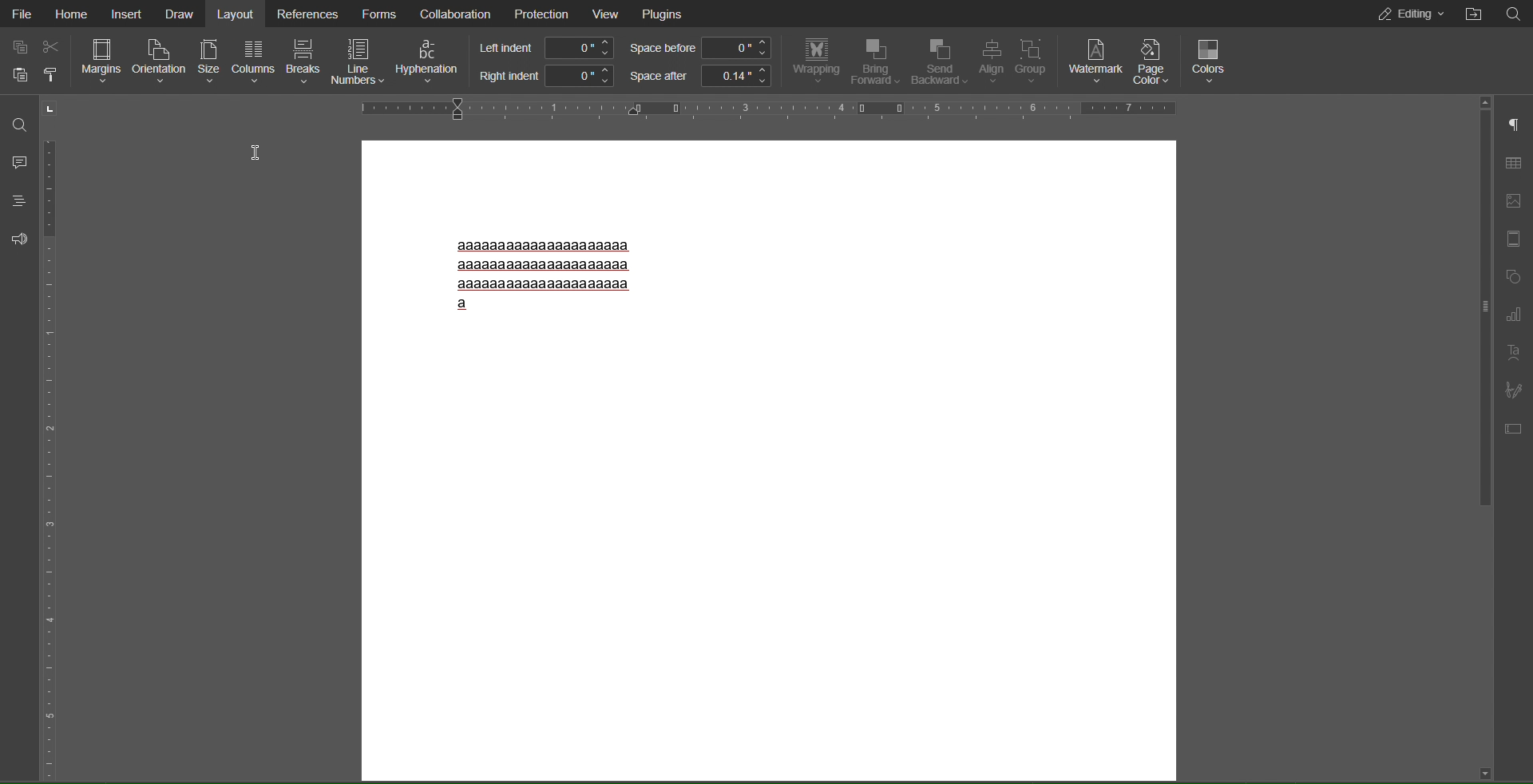  I want to click on Watermark, so click(1095, 59).